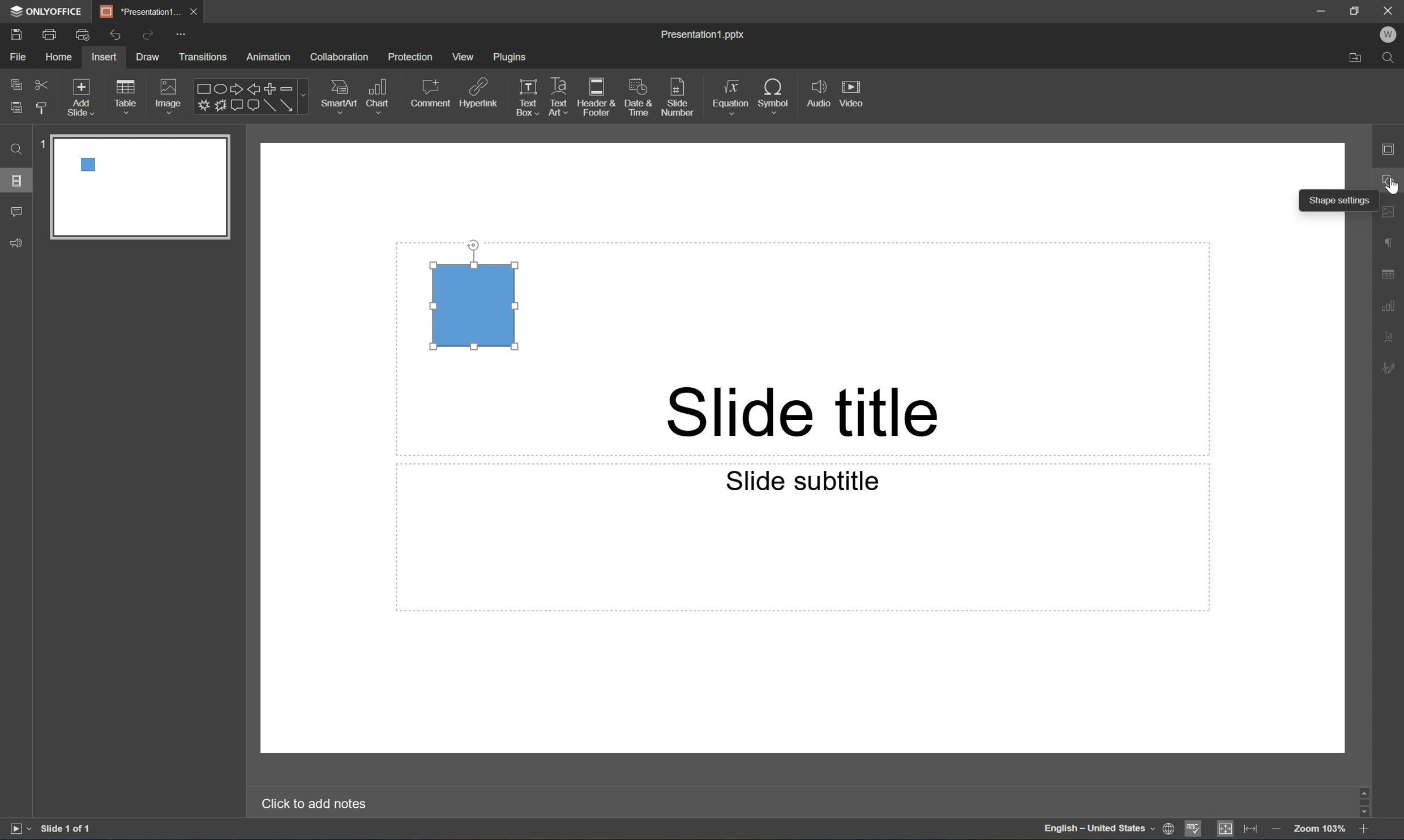 The width and height of the screenshot is (1404, 840). Describe the element at coordinates (1391, 306) in the screenshot. I see `Chart settings` at that location.